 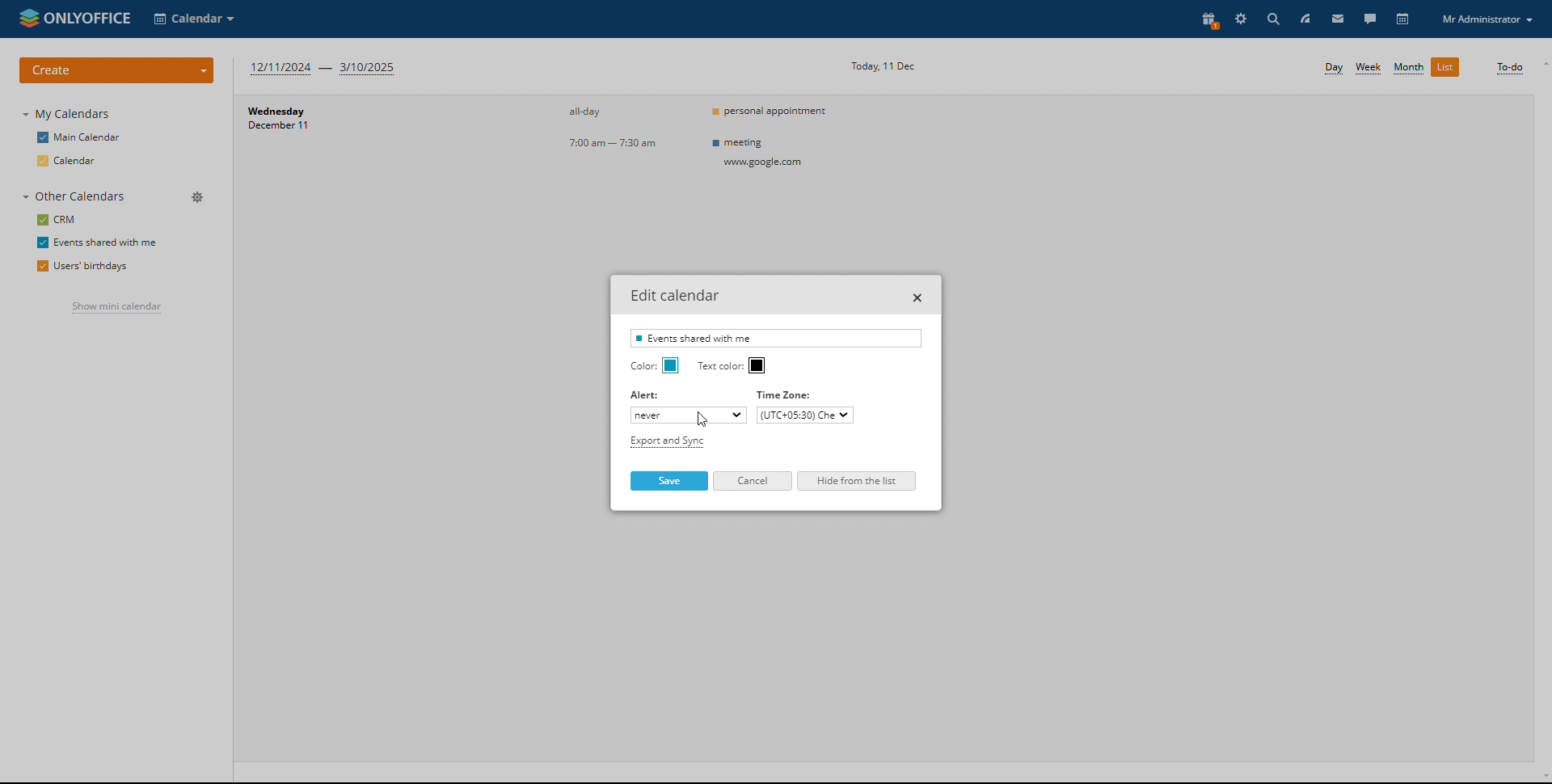 I want to click on meeting, so click(x=763, y=153).